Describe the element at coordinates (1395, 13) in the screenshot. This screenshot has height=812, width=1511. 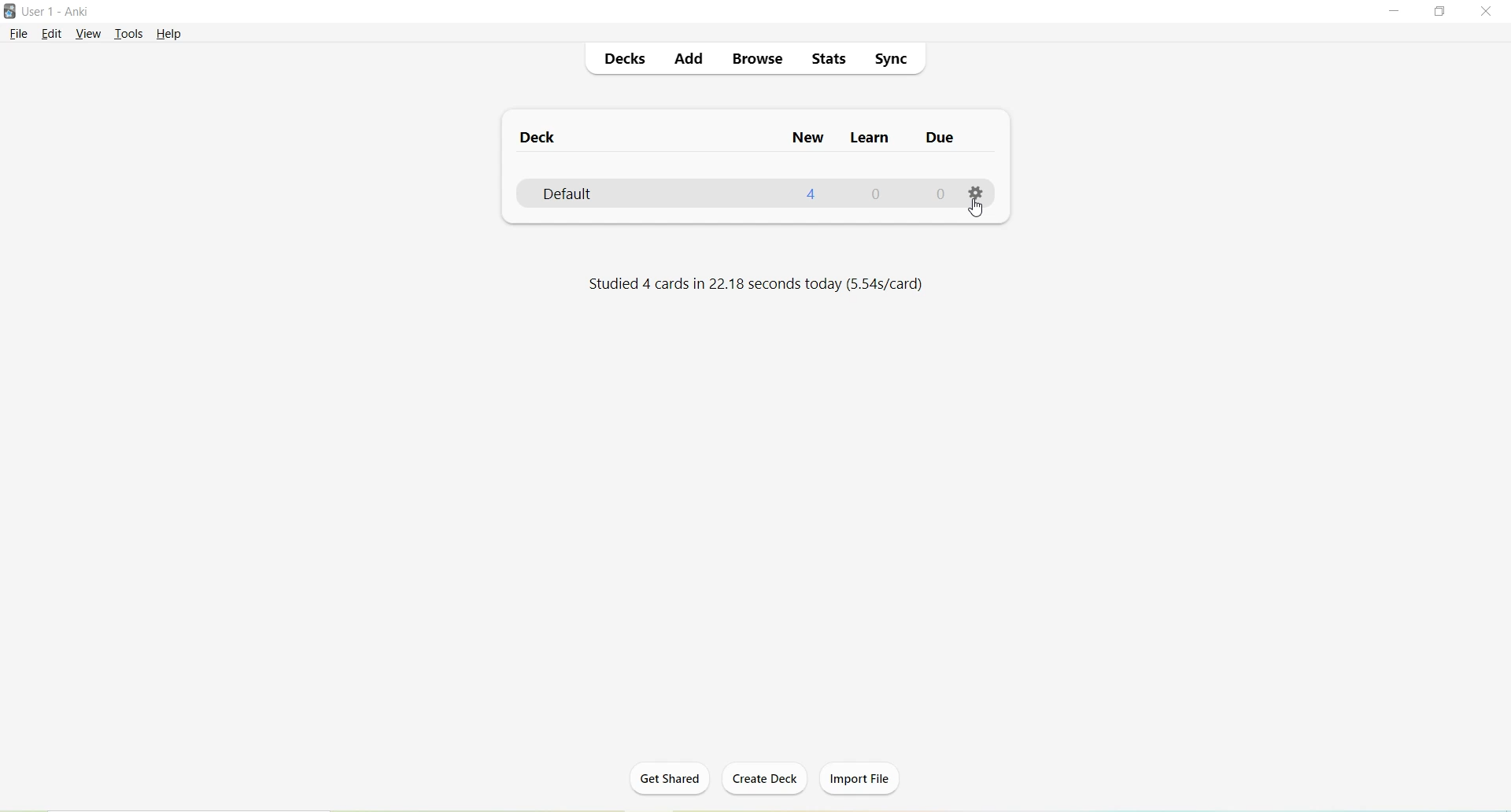
I see `Minimize` at that location.